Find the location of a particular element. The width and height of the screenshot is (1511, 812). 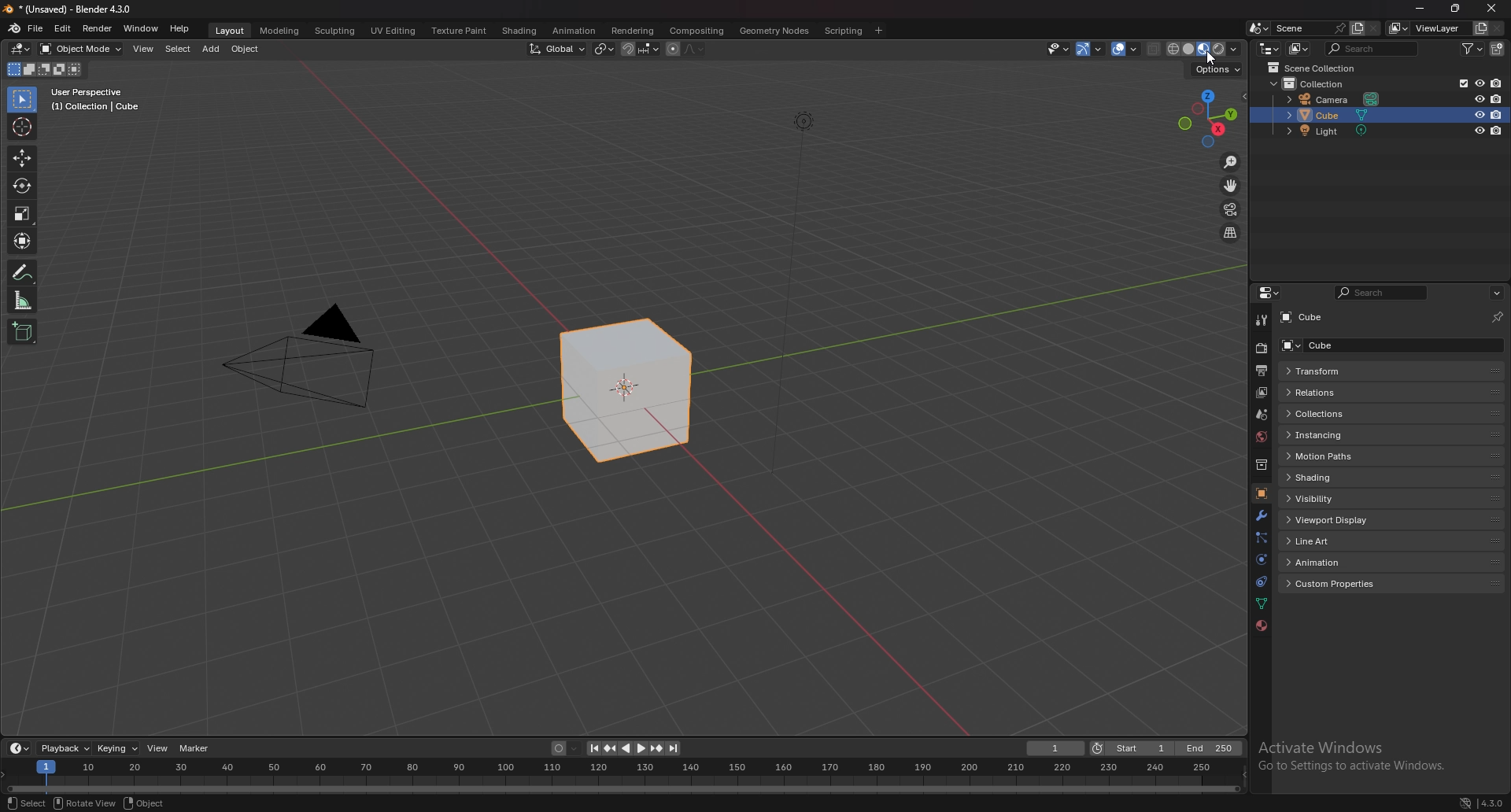

perspective/orthographic is located at coordinates (1232, 233).